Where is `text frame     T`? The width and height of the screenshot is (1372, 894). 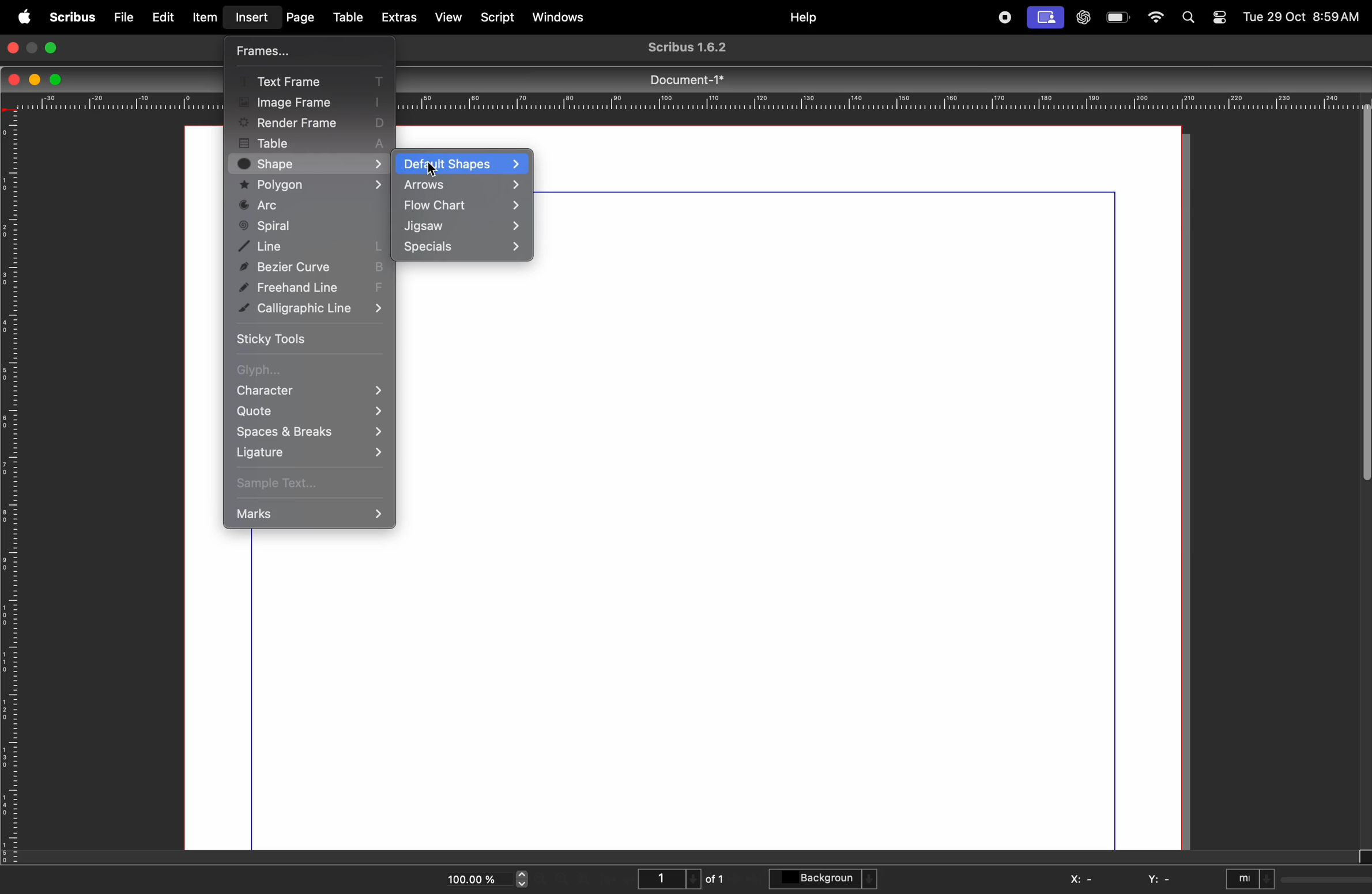 text frame     T is located at coordinates (308, 78).